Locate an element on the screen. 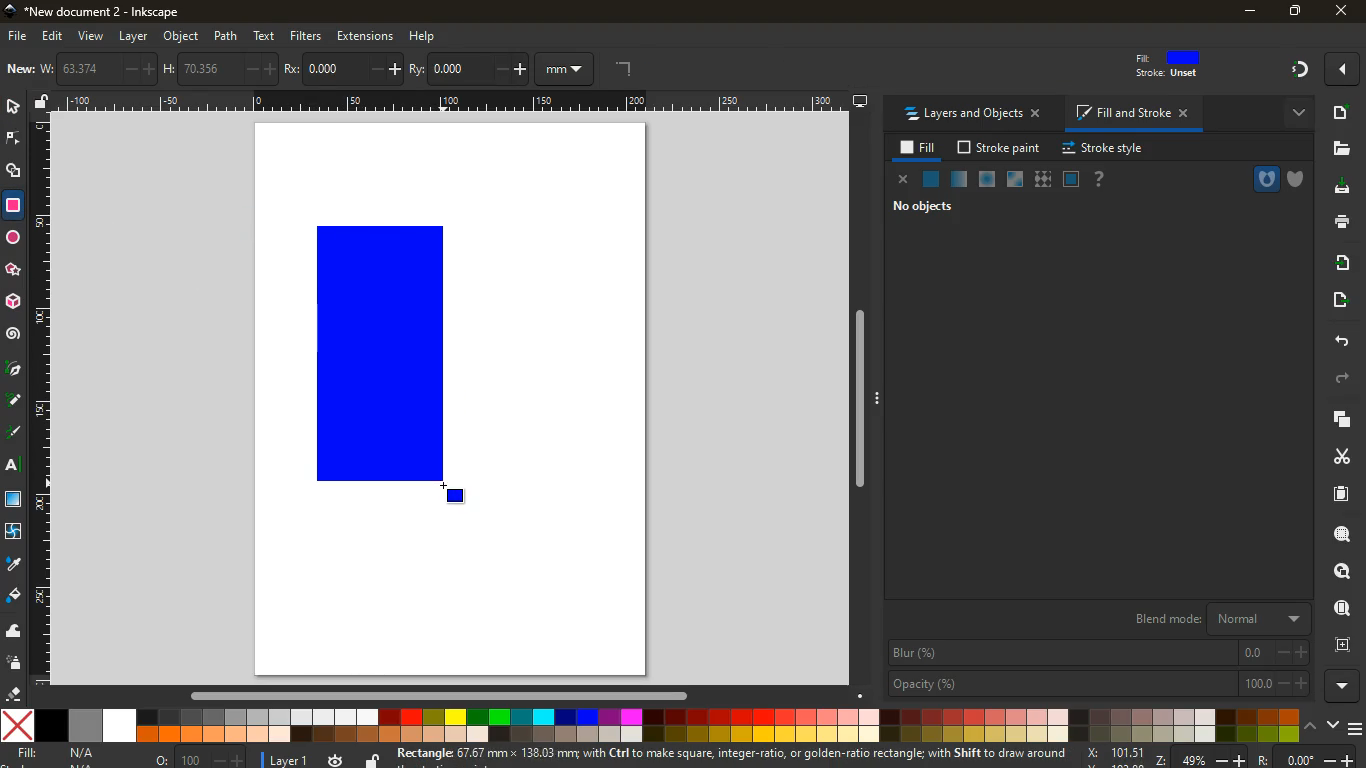 This screenshot has width=1366, height=768. unlock is located at coordinates (44, 104).